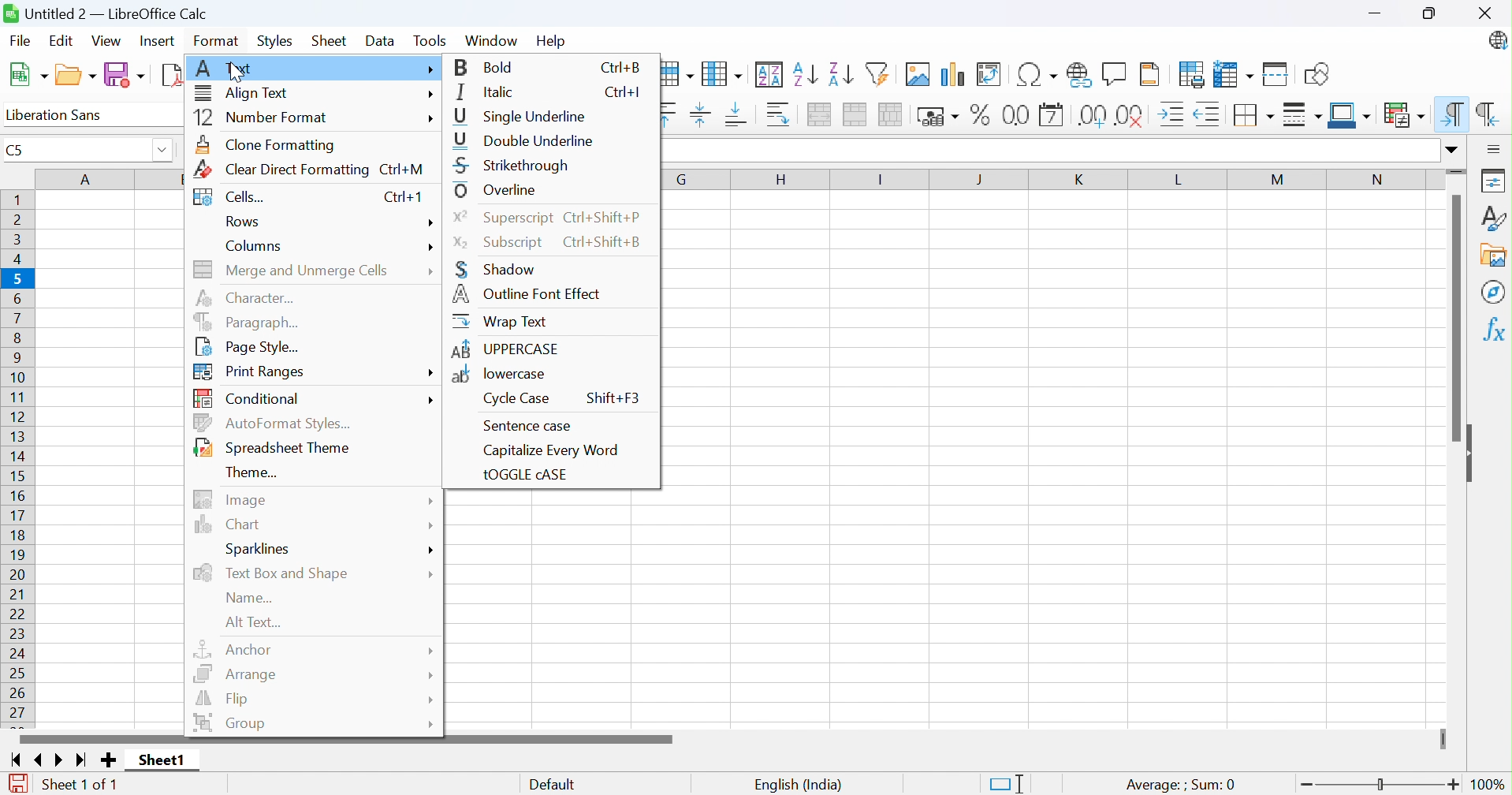 The height and width of the screenshot is (795, 1512). Describe the element at coordinates (501, 374) in the screenshot. I see `locare case` at that location.